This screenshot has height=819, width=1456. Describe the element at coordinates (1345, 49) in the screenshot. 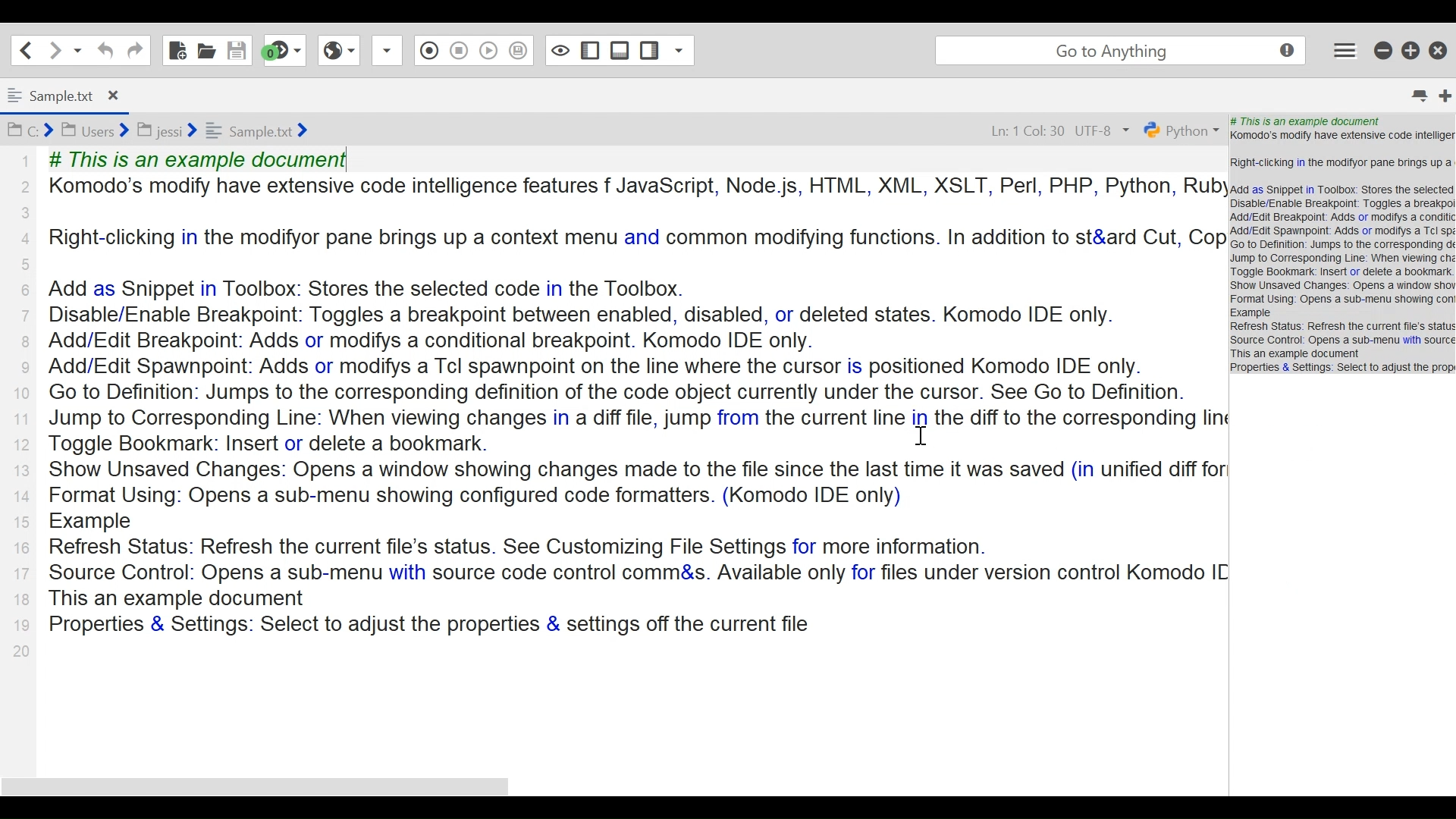

I see `Application menu` at that location.